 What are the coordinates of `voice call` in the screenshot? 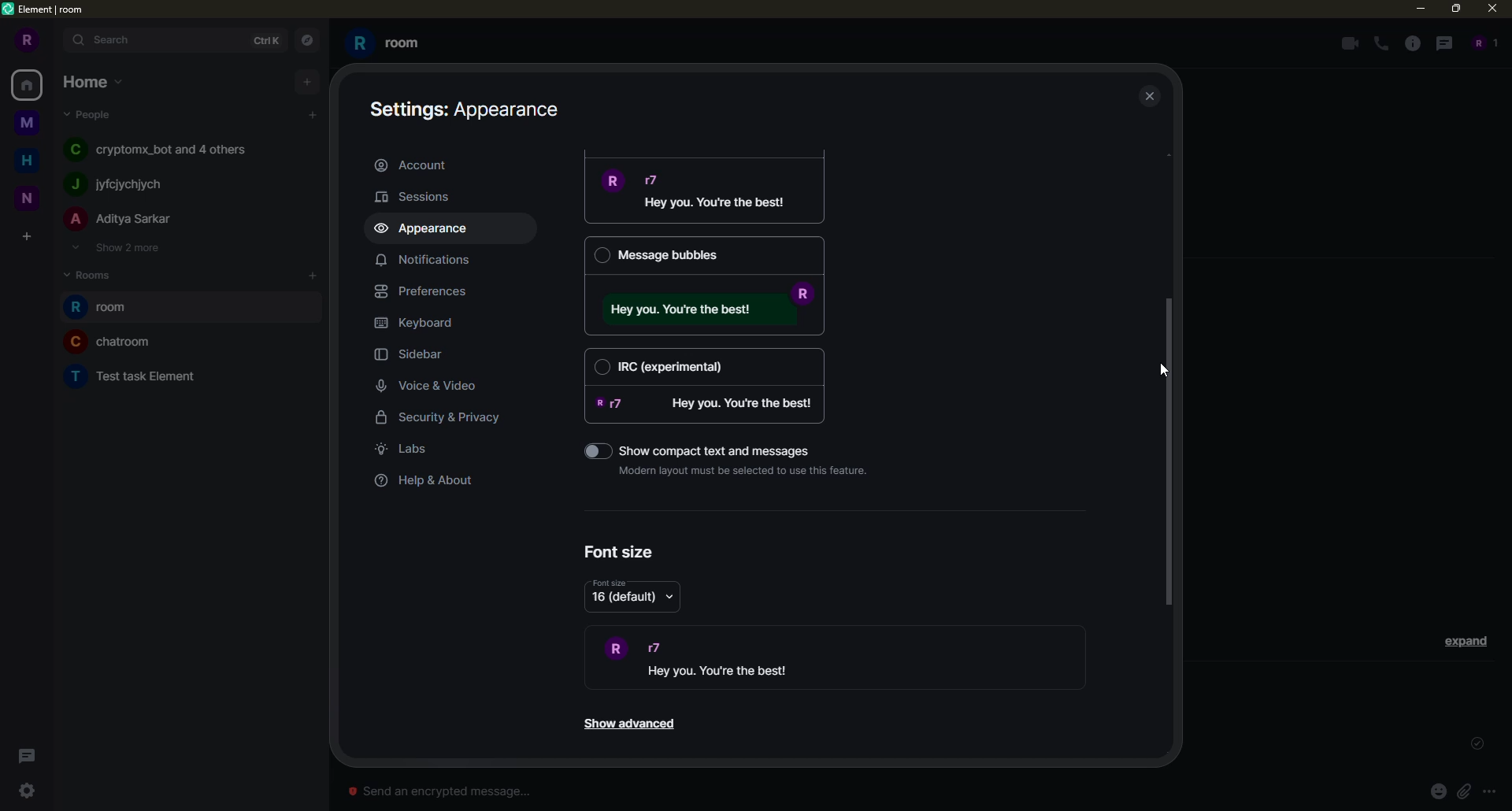 It's located at (1383, 44).